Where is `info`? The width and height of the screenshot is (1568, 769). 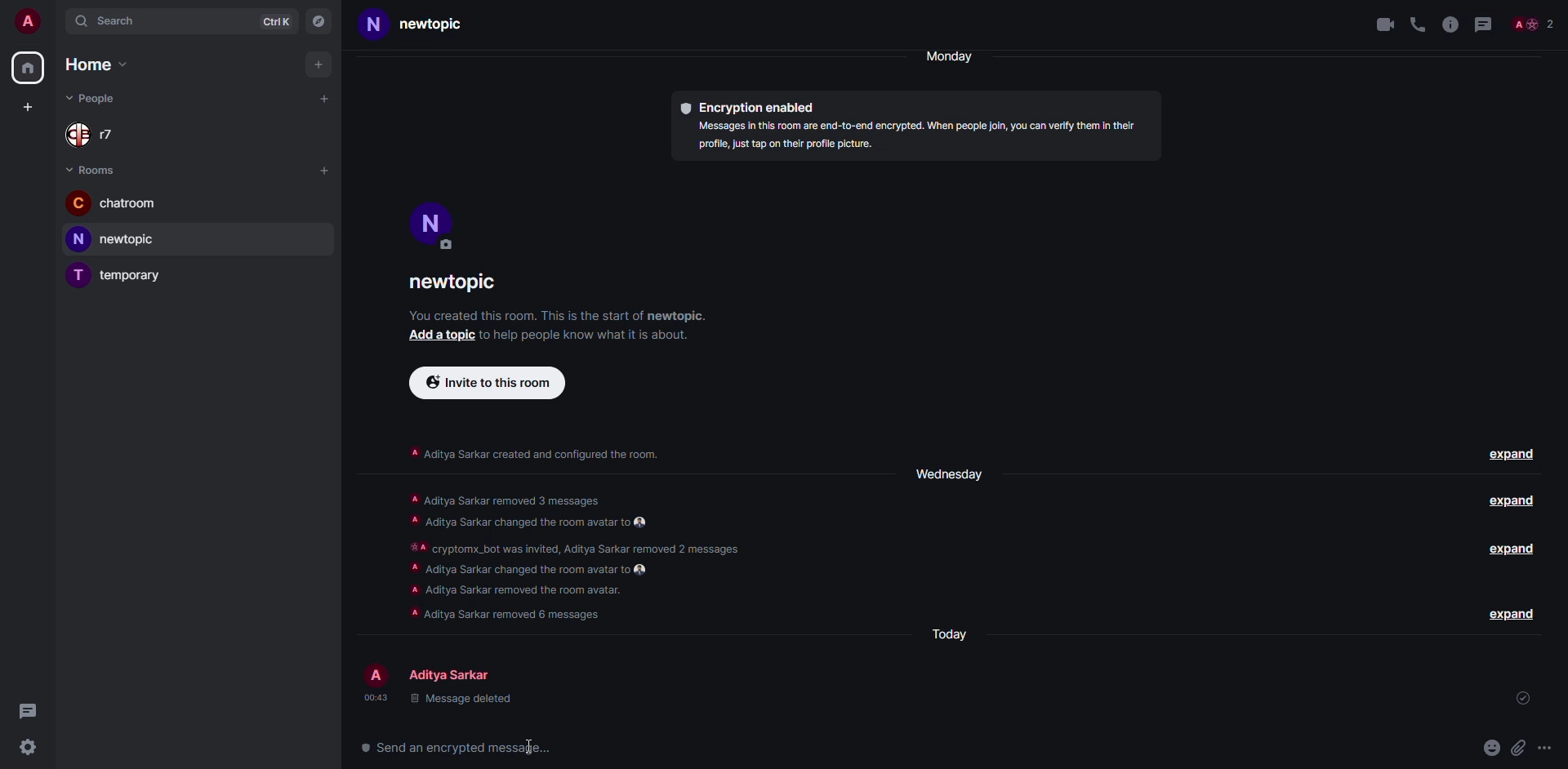 info is located at coordinates (1450, 24).